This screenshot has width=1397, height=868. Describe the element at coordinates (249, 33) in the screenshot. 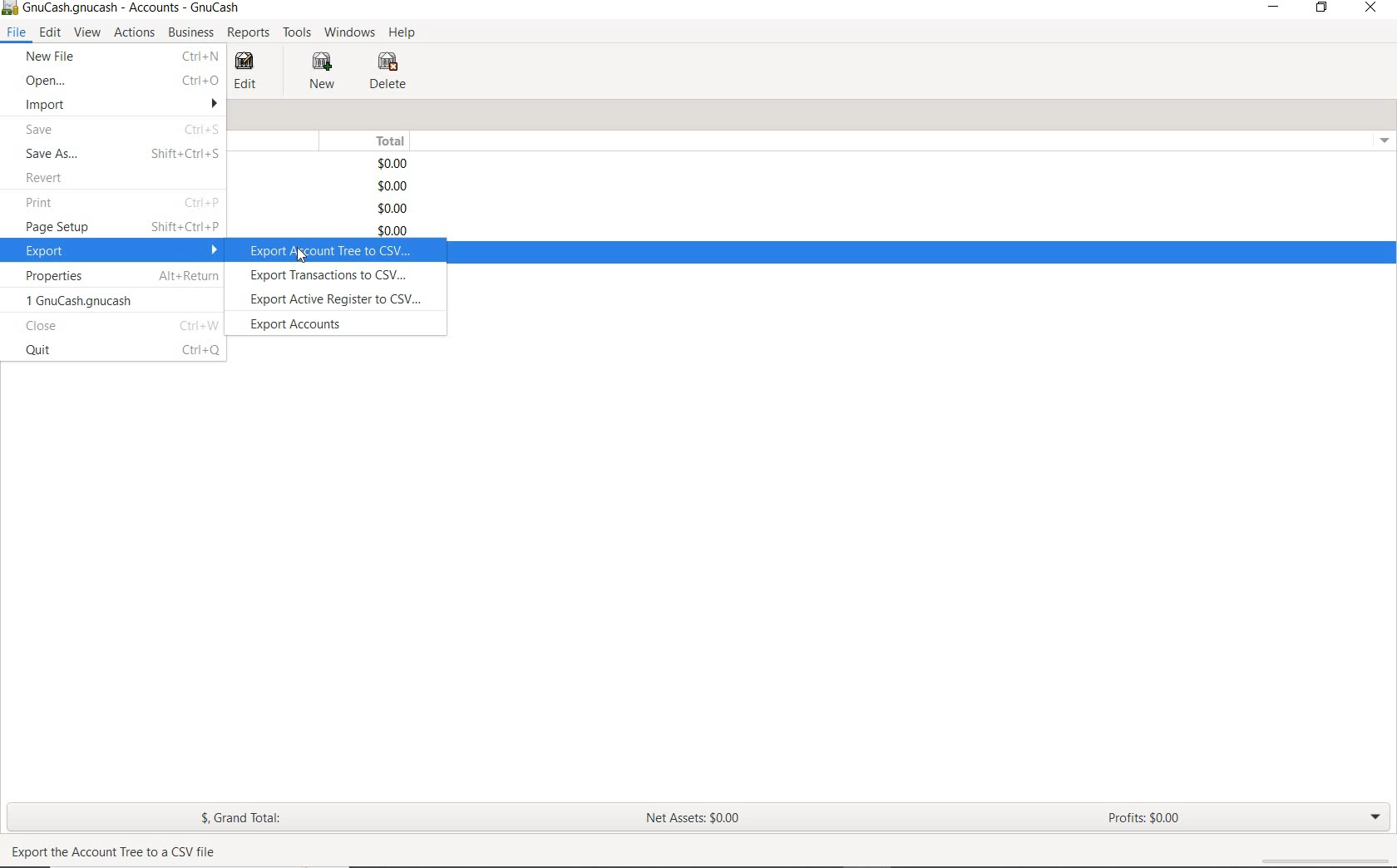

I see `REPORTS` at that location.